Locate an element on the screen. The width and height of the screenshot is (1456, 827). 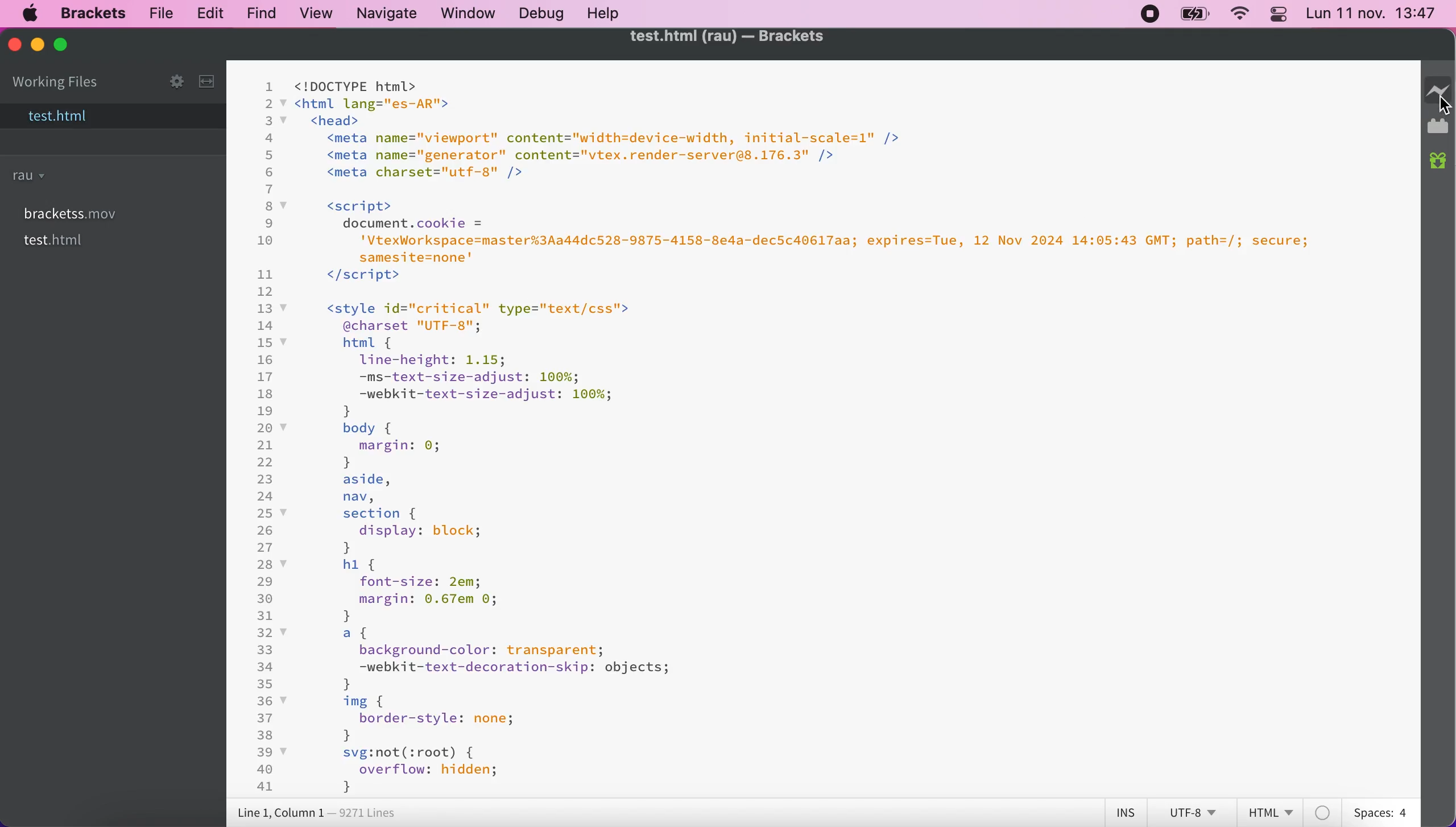
wifi is located at coordinates (1239, 16).